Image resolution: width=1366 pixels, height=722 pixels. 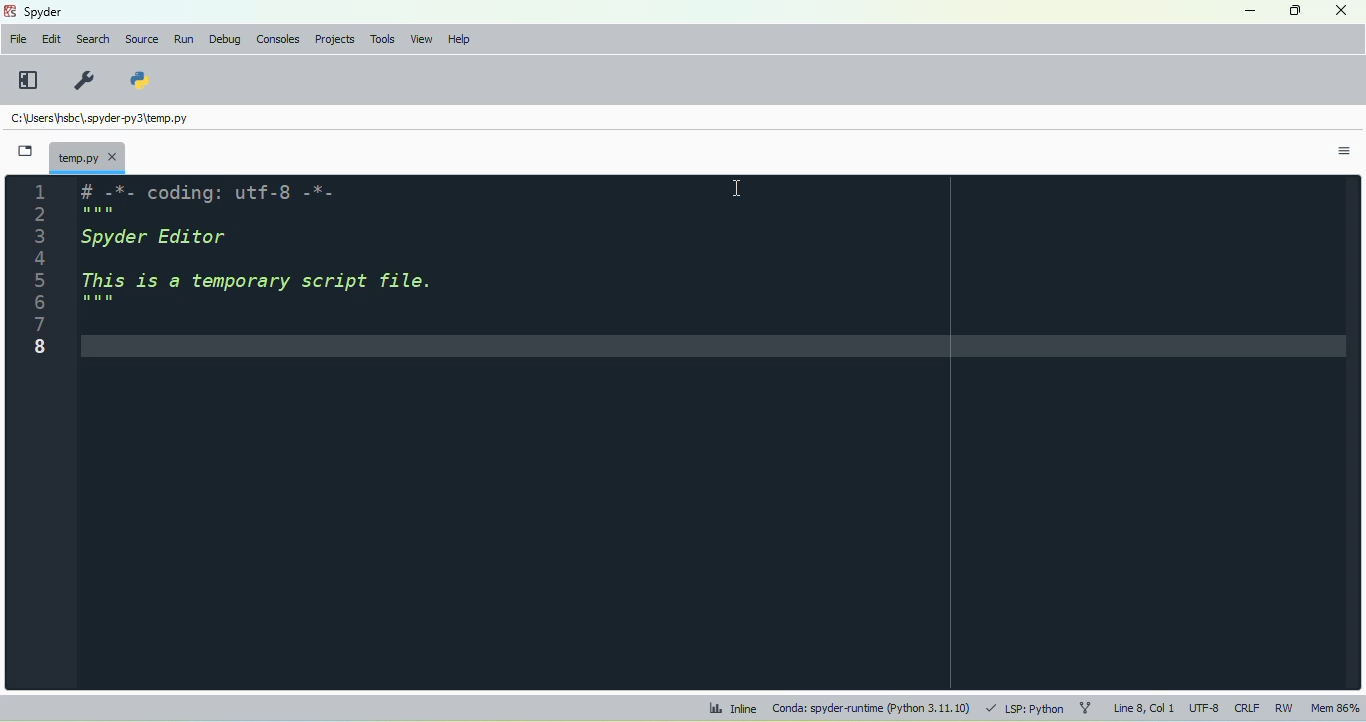 What do you see at coordinates (18, 38) in the screenshot?
I see `file` at bounding box center [18, 38].